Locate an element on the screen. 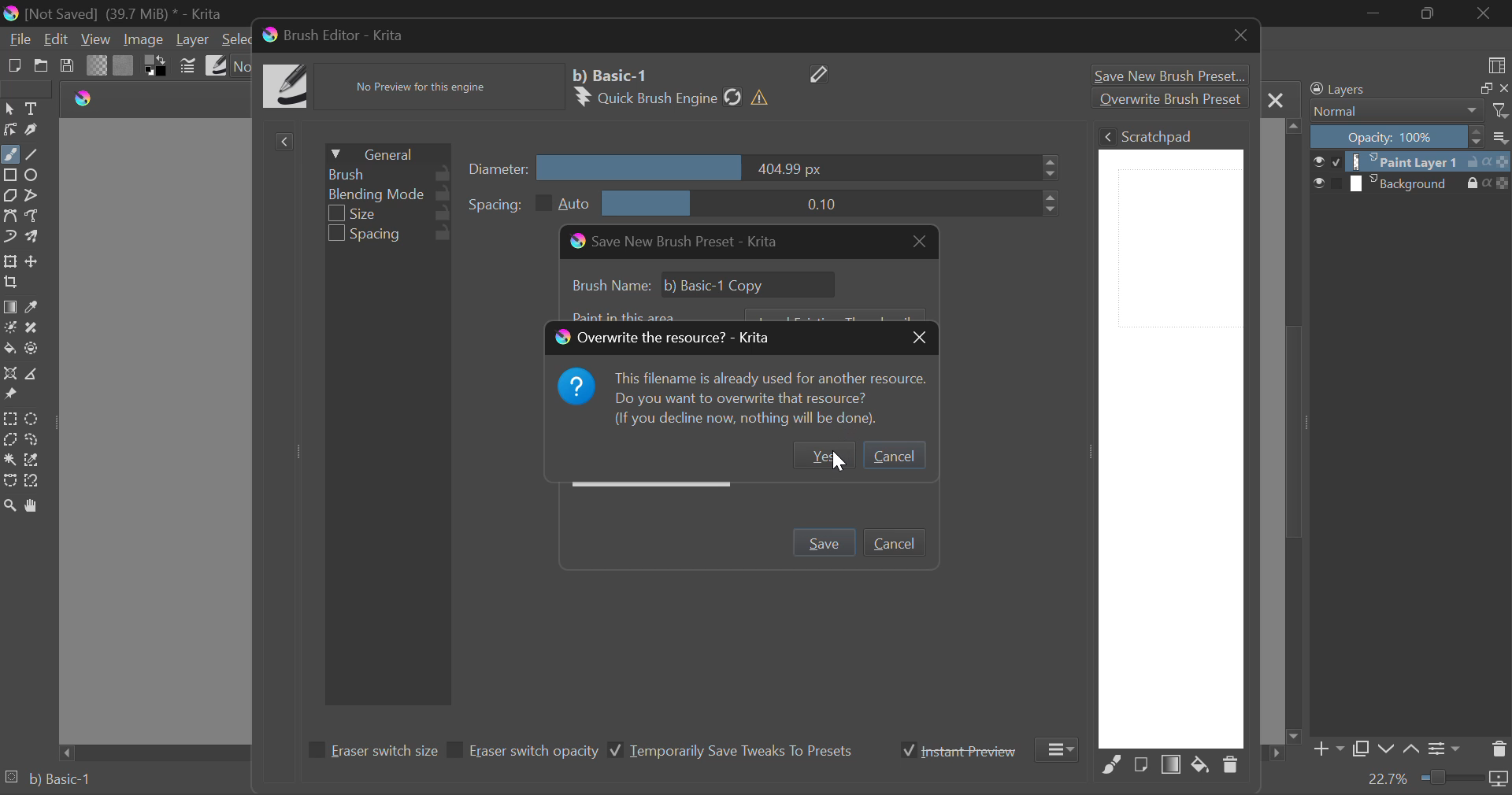 This screenshot has height=795, width=1512. Zoom 22.7% is located at coordinates (1435, 780).